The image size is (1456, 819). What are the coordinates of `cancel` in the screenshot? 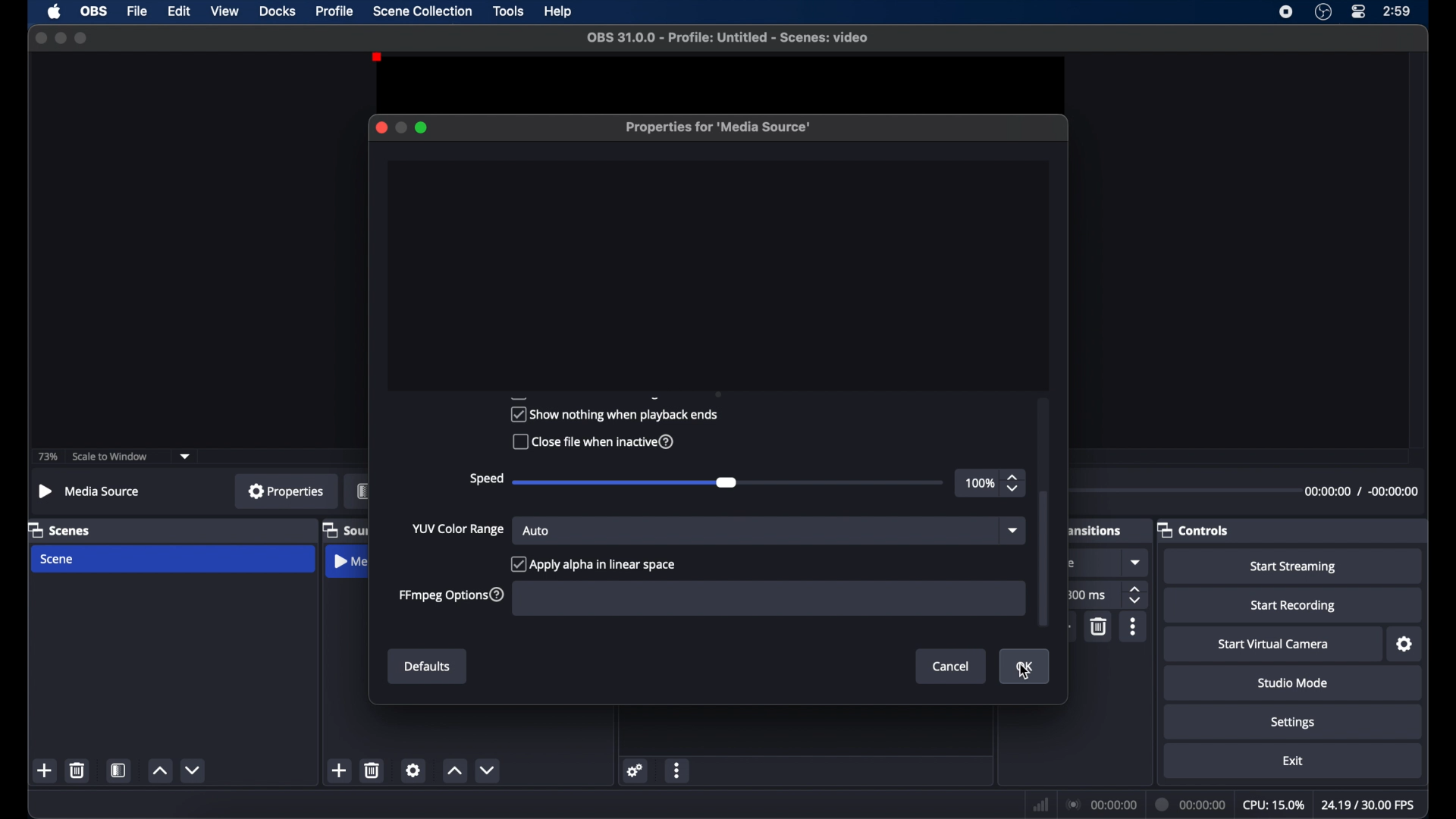 It's located at (952, 667).